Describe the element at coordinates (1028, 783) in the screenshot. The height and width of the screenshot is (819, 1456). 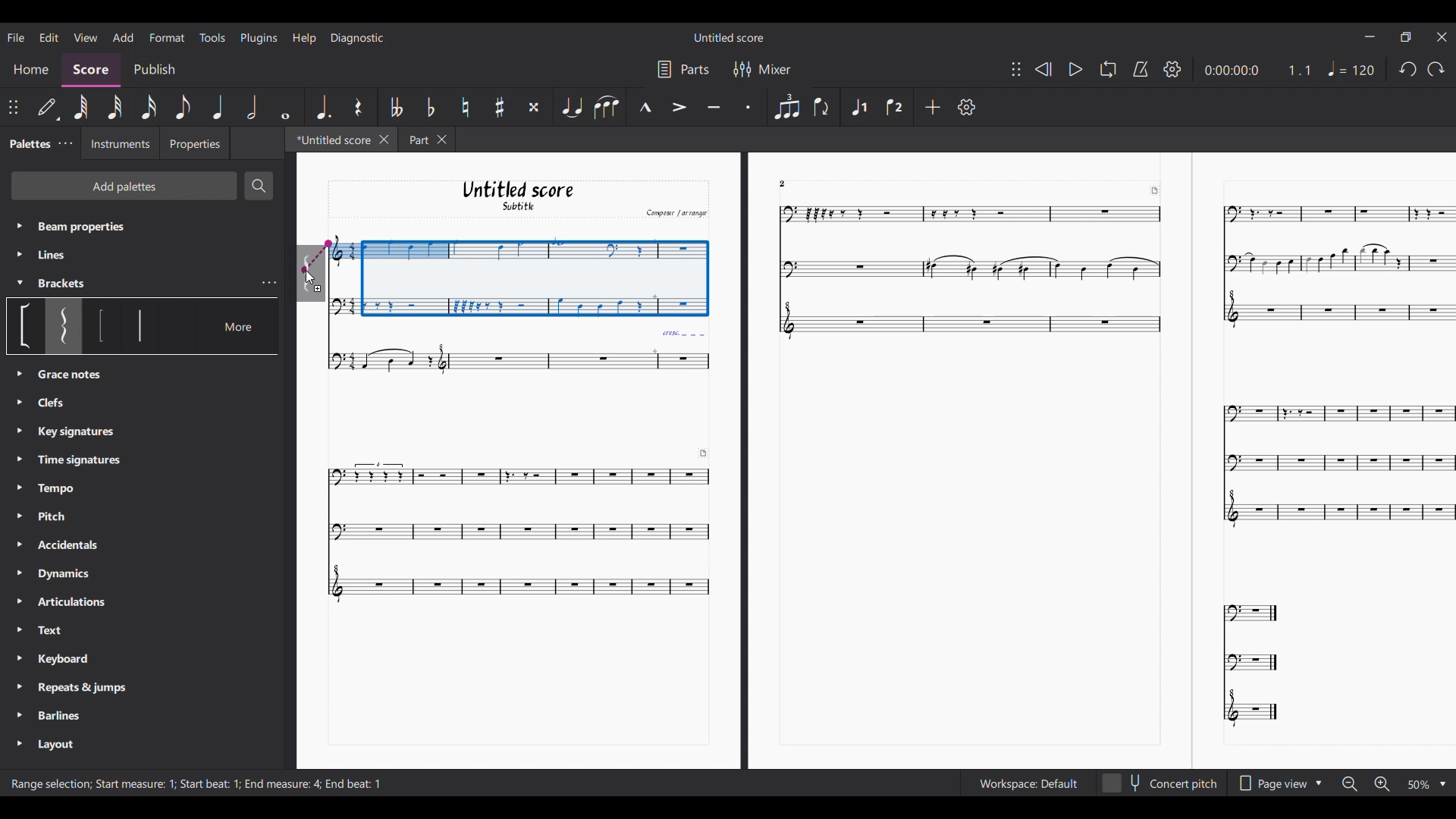
I see `Workspace setting` at that location.